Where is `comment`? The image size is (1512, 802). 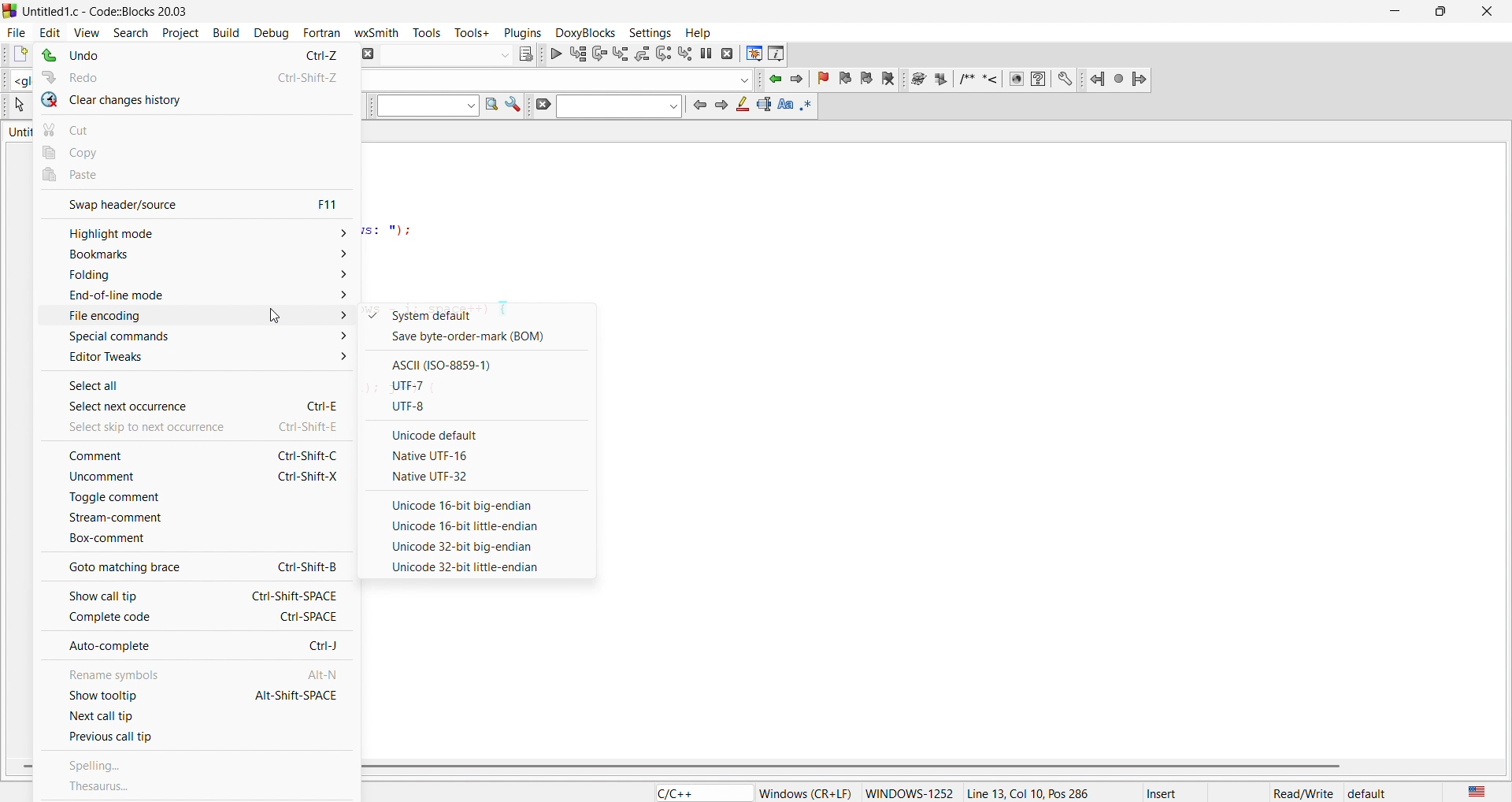 comment is located at coordinates (192, 452).